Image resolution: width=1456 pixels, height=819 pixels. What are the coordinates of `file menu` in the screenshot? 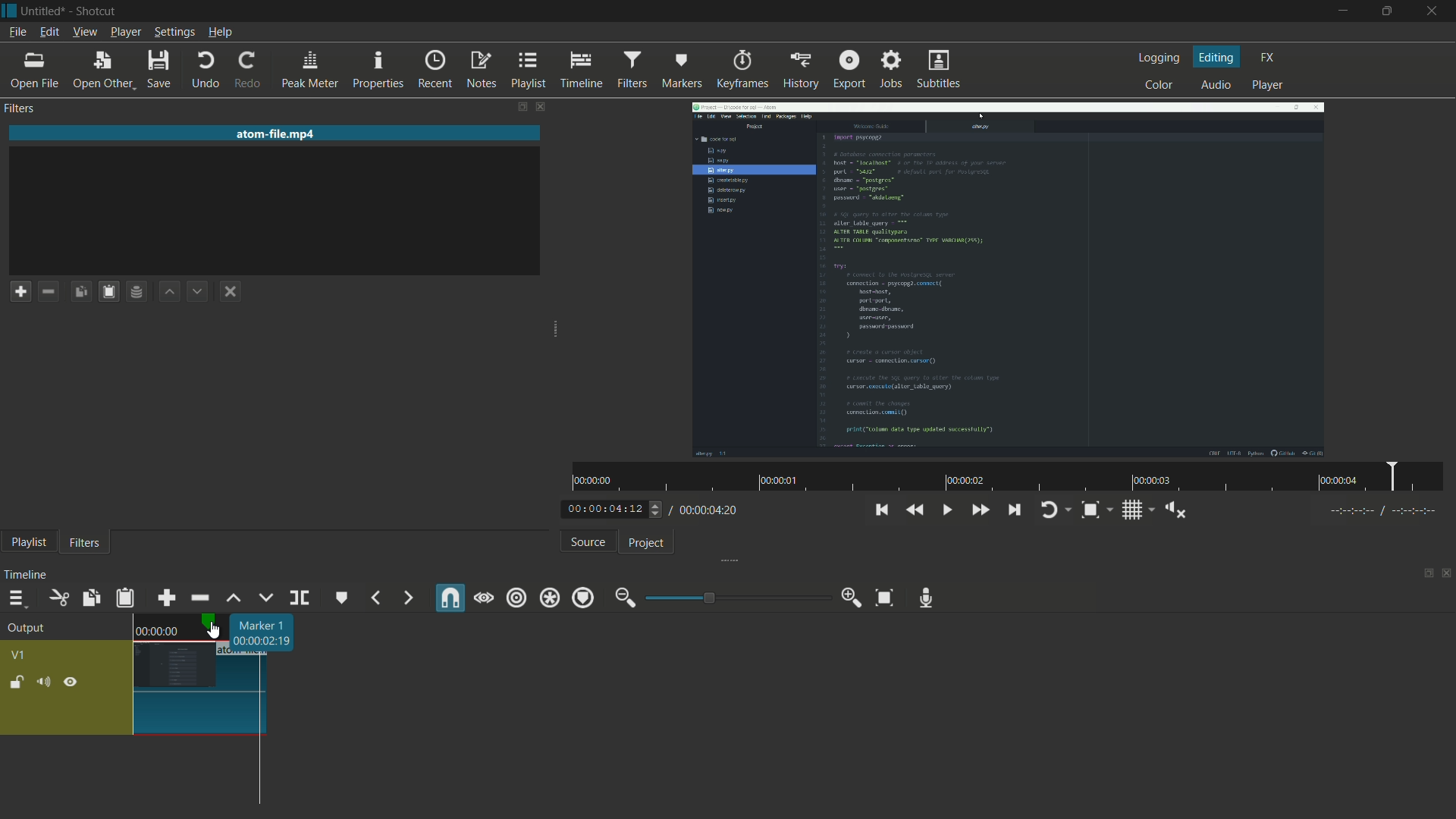 It's located at (18, 33).